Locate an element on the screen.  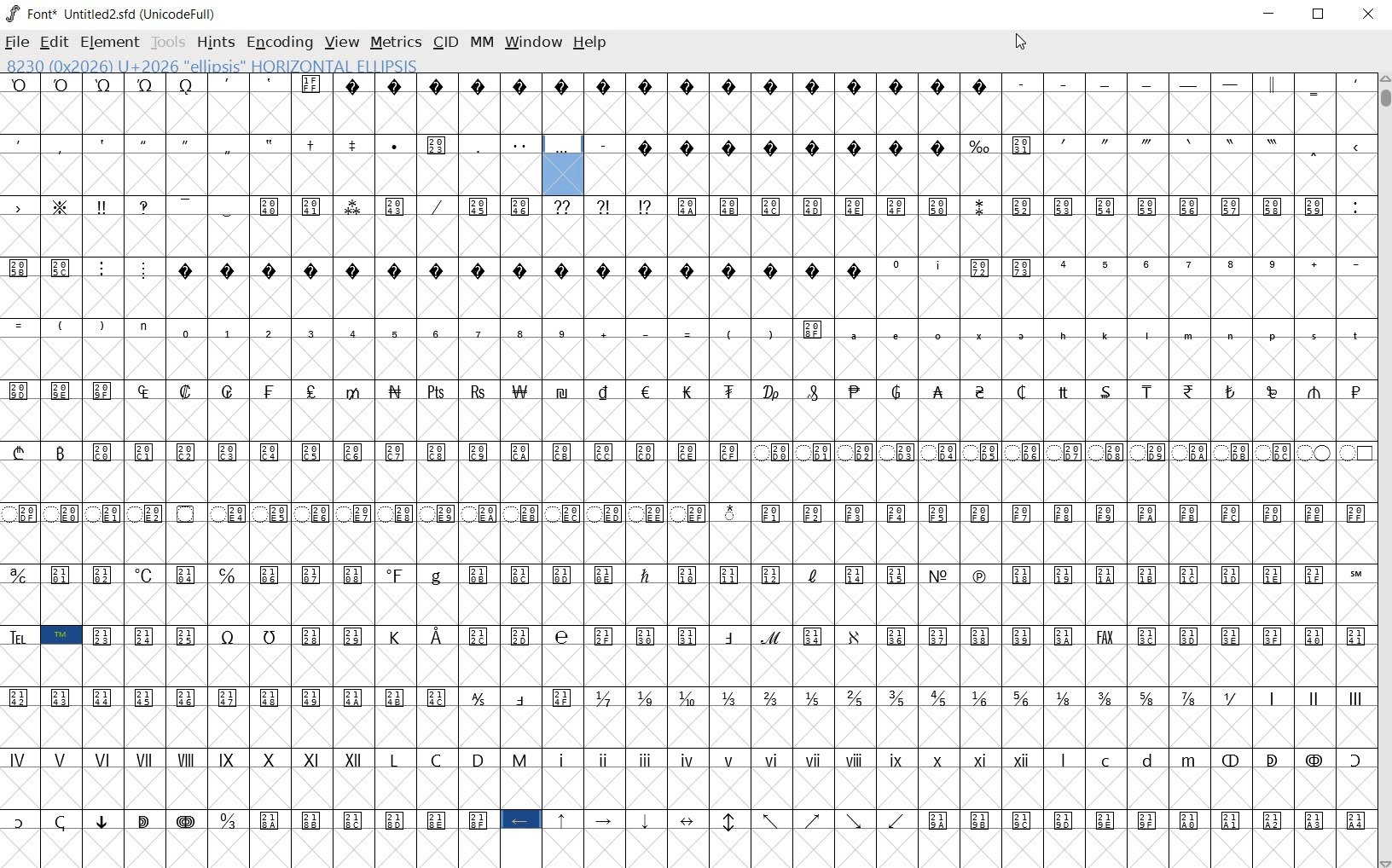
FONT*UNTITLED2.SFD (UNICODEFULL) is located at coordinates (114, 12).